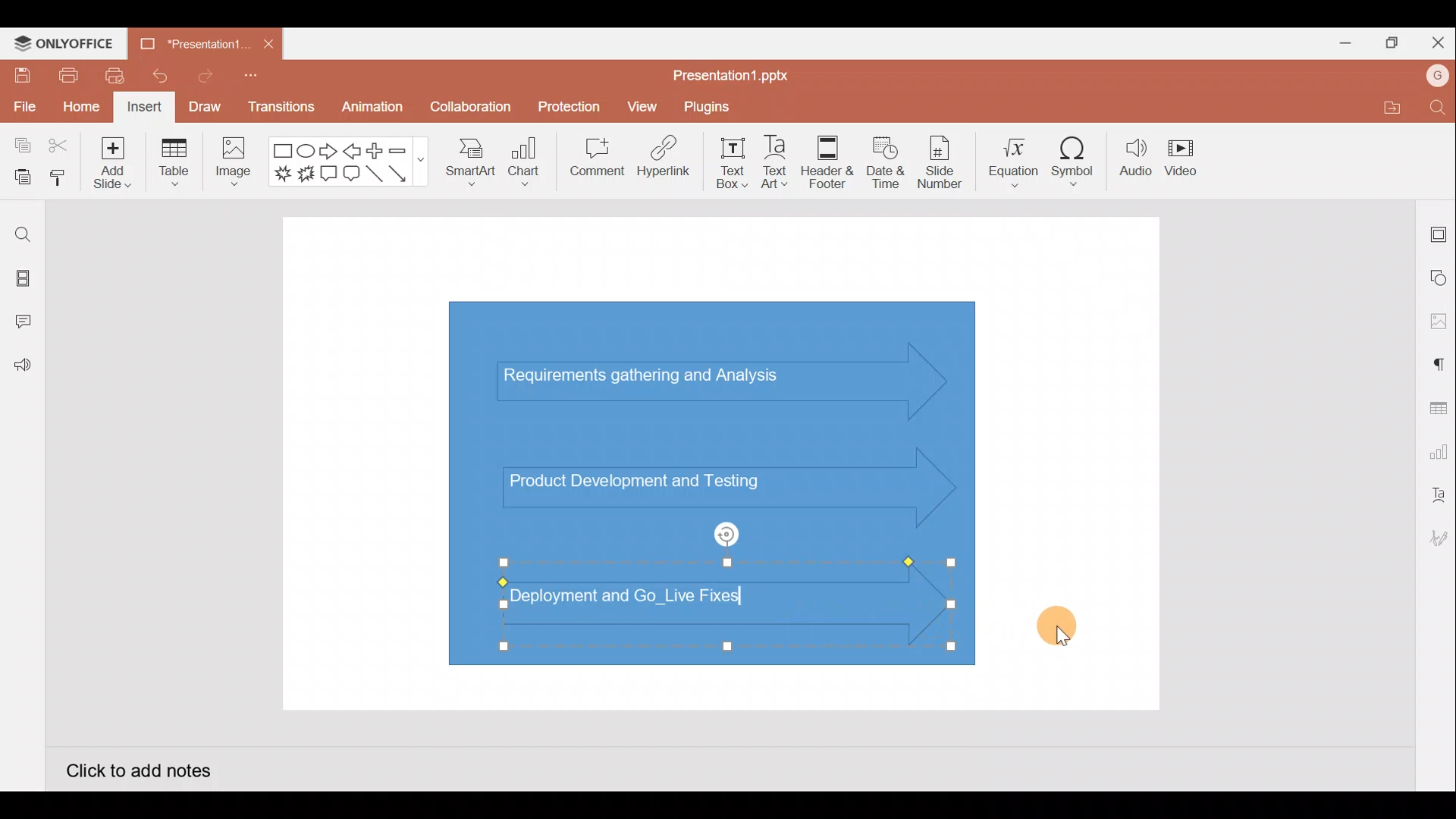 This screenshot has width=1456, height=819. I want to click on Comments, so click(27, 323).